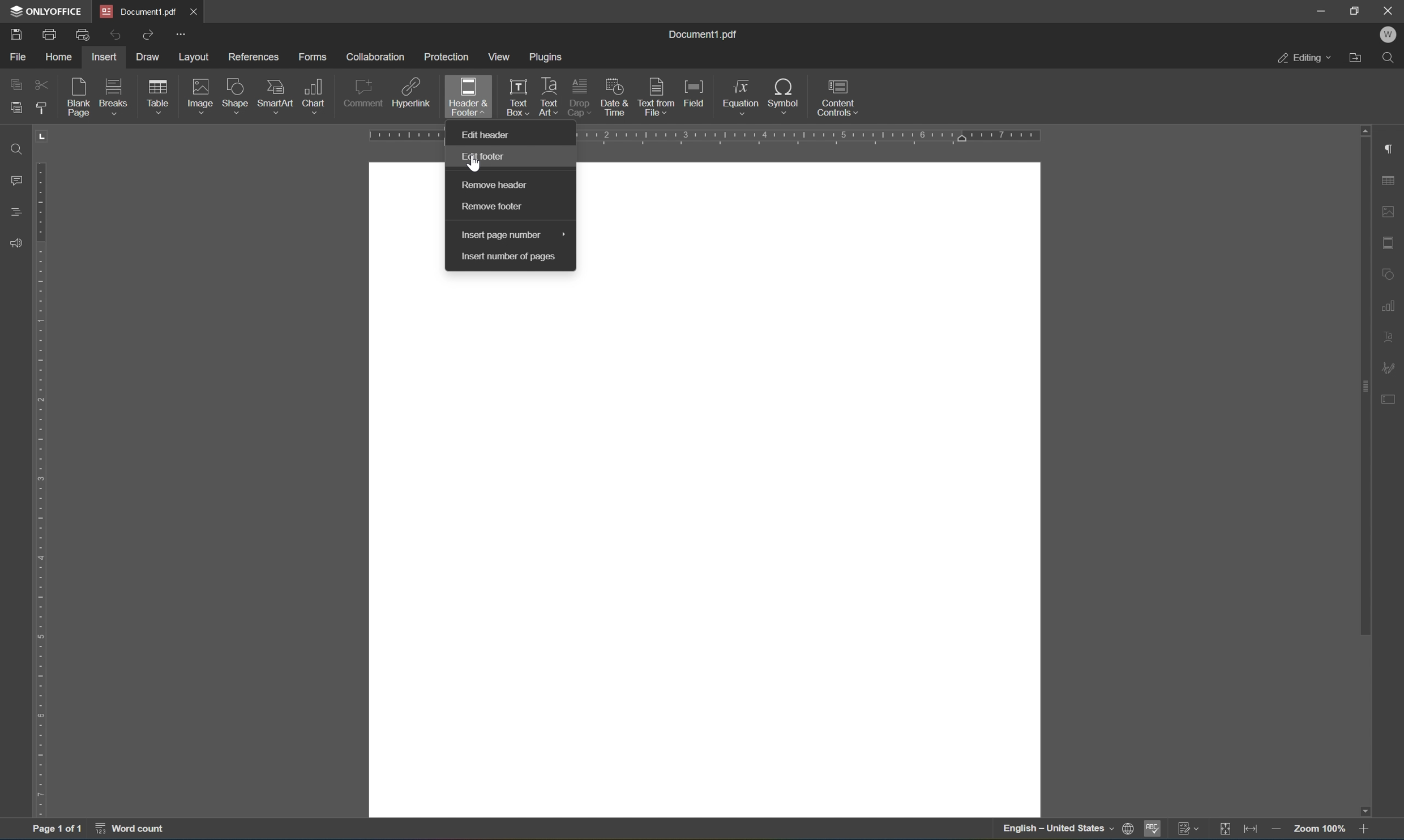  I want to click on find, so click(1391, 59).